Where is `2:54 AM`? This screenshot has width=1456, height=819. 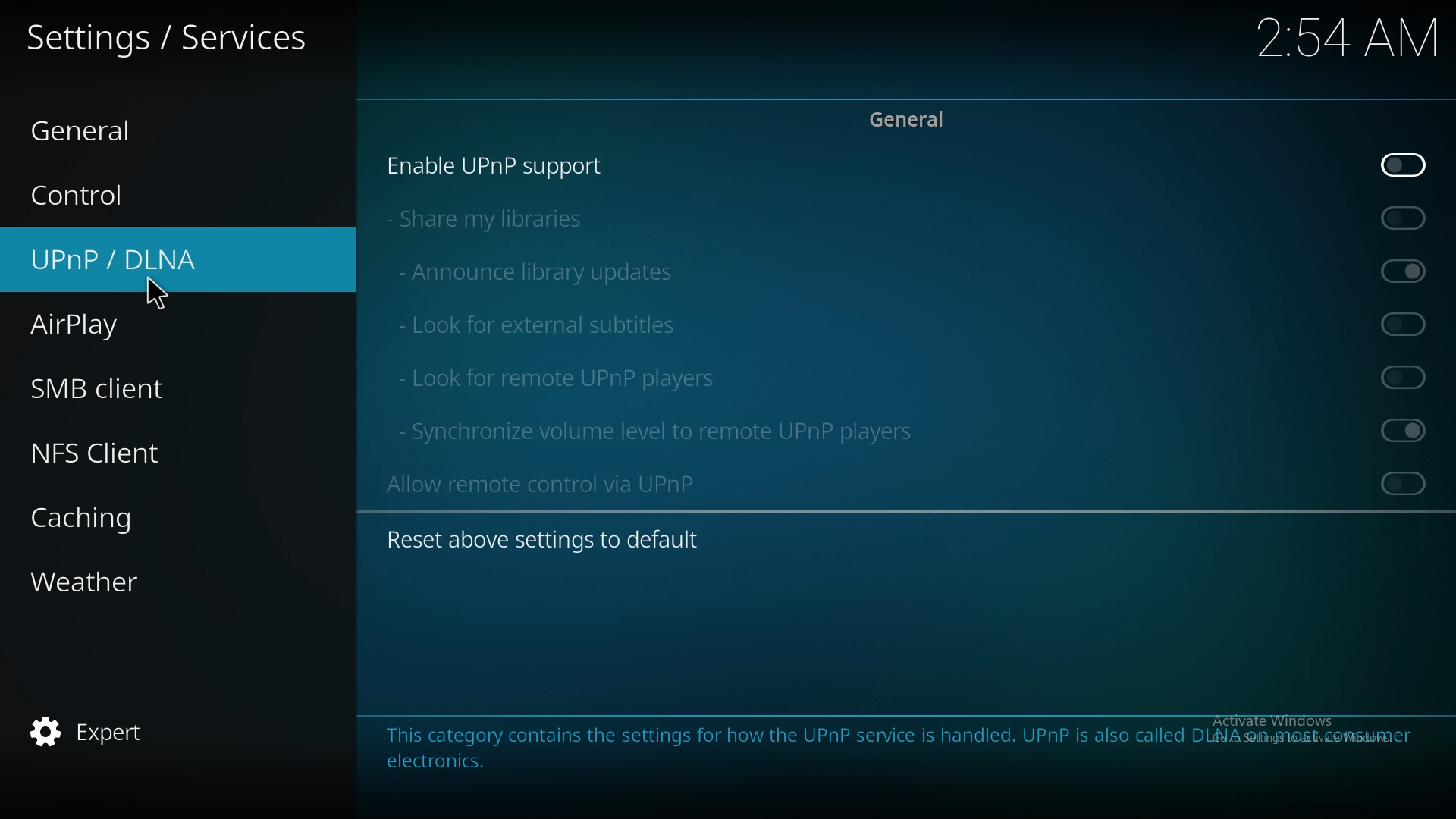
2:54 AM is located at coordinates (1344, 43).